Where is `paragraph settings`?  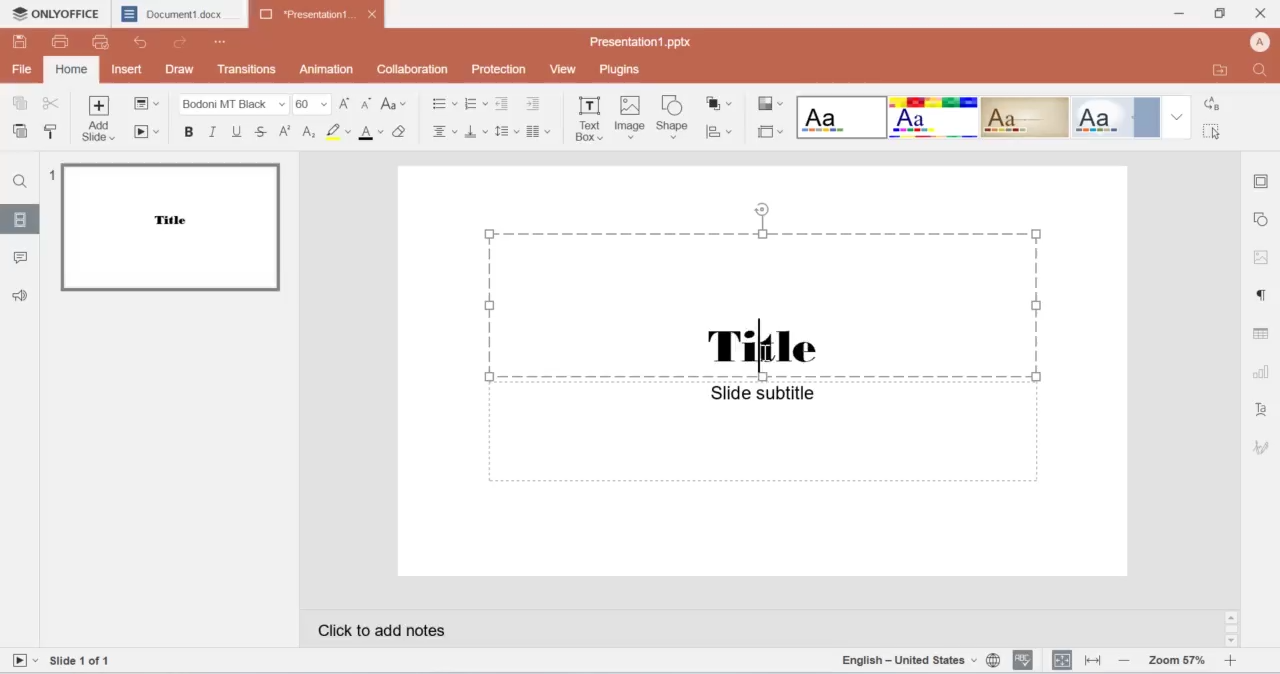
paragraph settings is located at coordinates (1259, 295).